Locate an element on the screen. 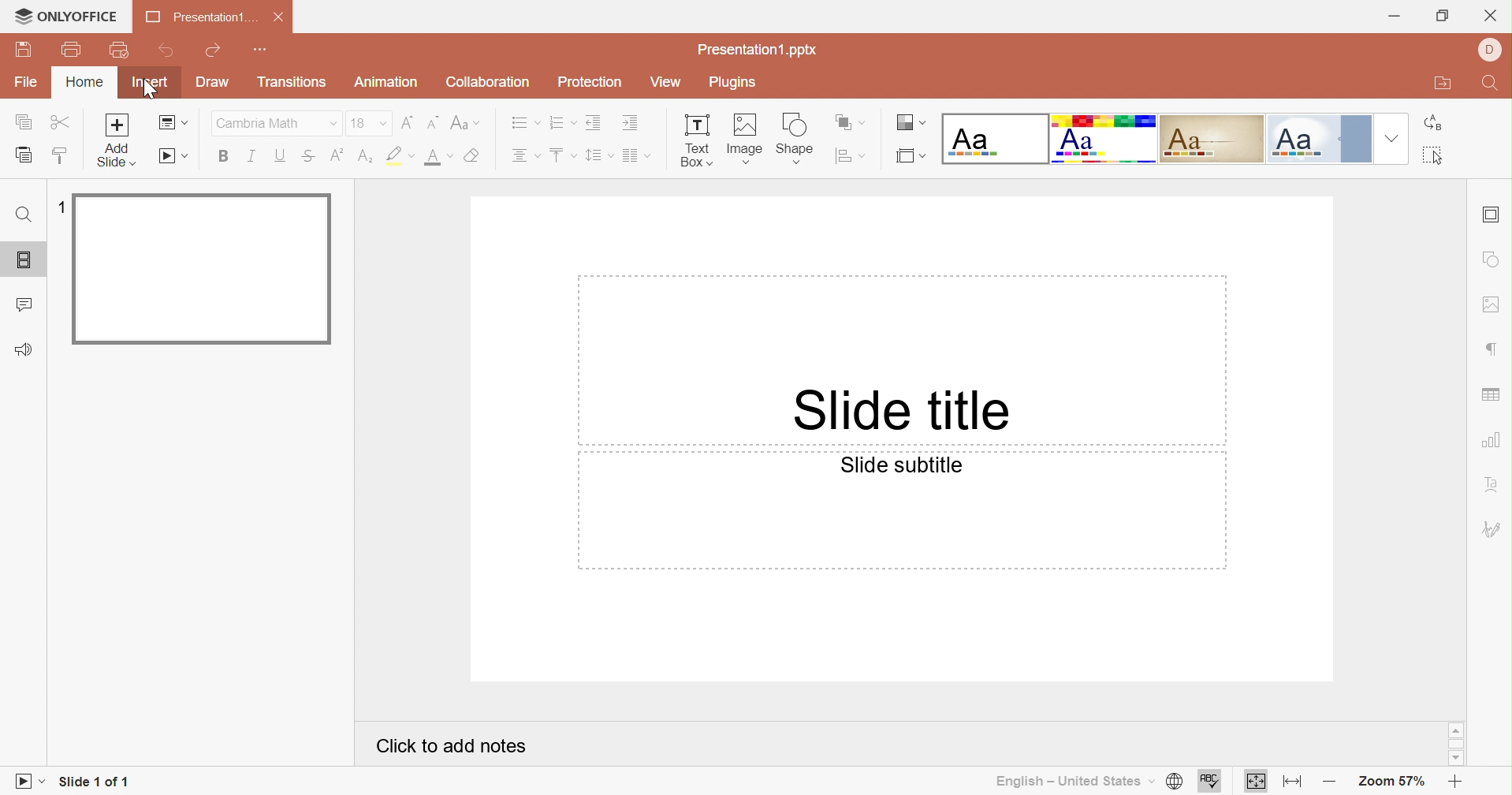 This screenshot has height=795, width=1512. Redo is located at coordinates (214, 52).